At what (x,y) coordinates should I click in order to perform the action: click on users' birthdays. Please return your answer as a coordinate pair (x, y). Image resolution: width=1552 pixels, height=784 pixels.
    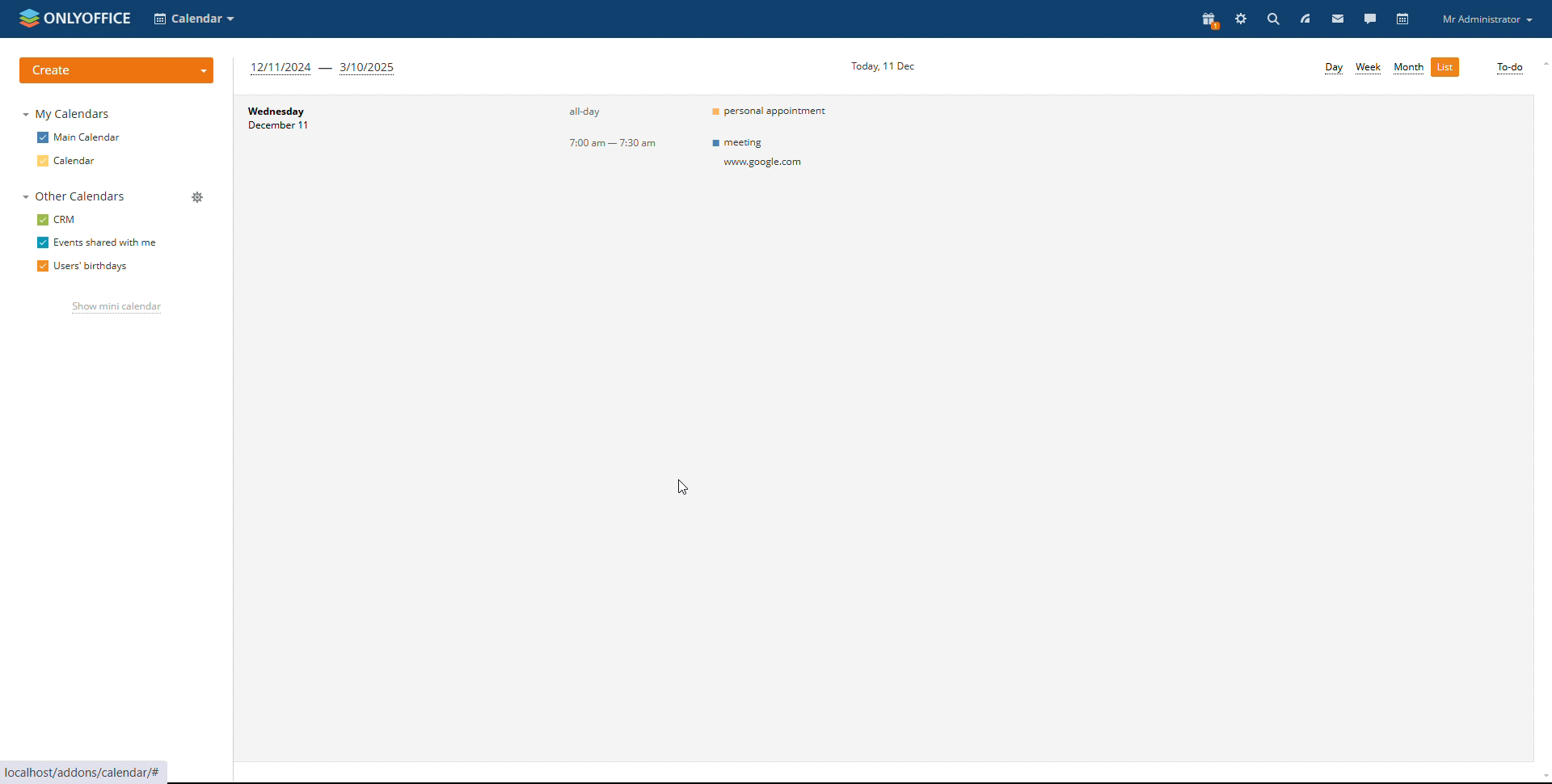
    Looking at the image, I should click on (80, 266).